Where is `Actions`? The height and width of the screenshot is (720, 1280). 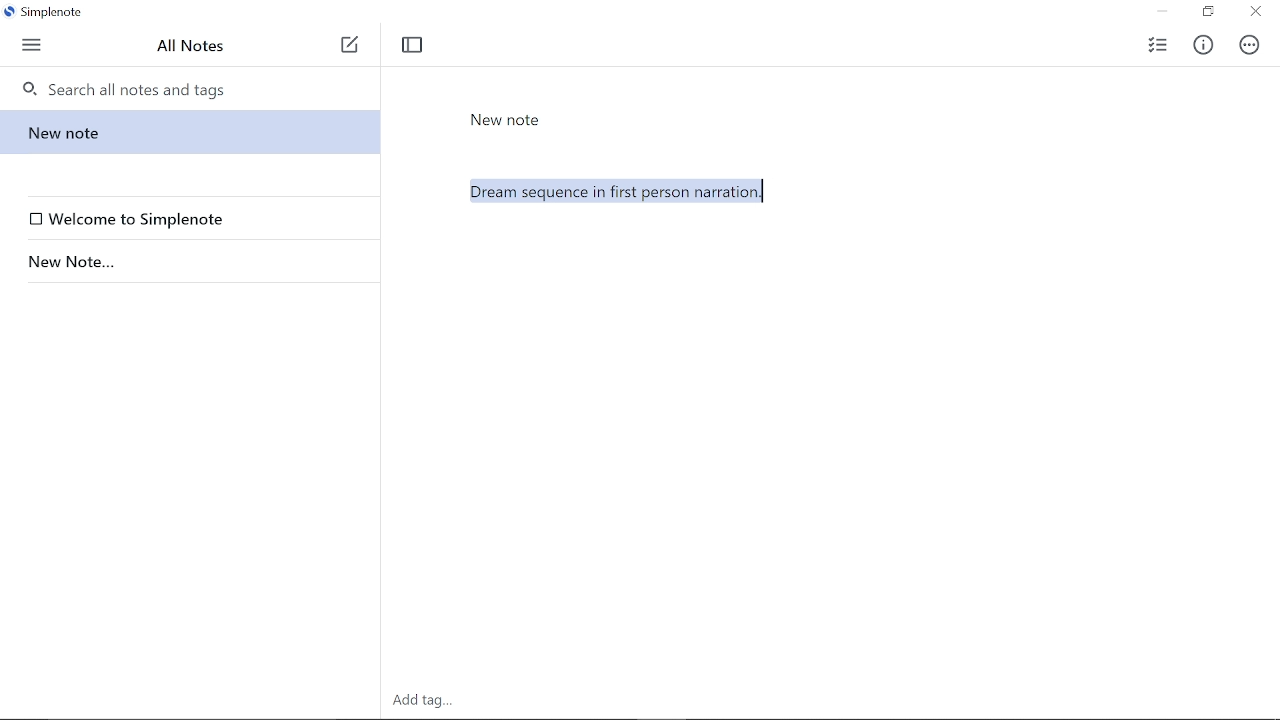
Actions is located at coordinates (1250, 45).